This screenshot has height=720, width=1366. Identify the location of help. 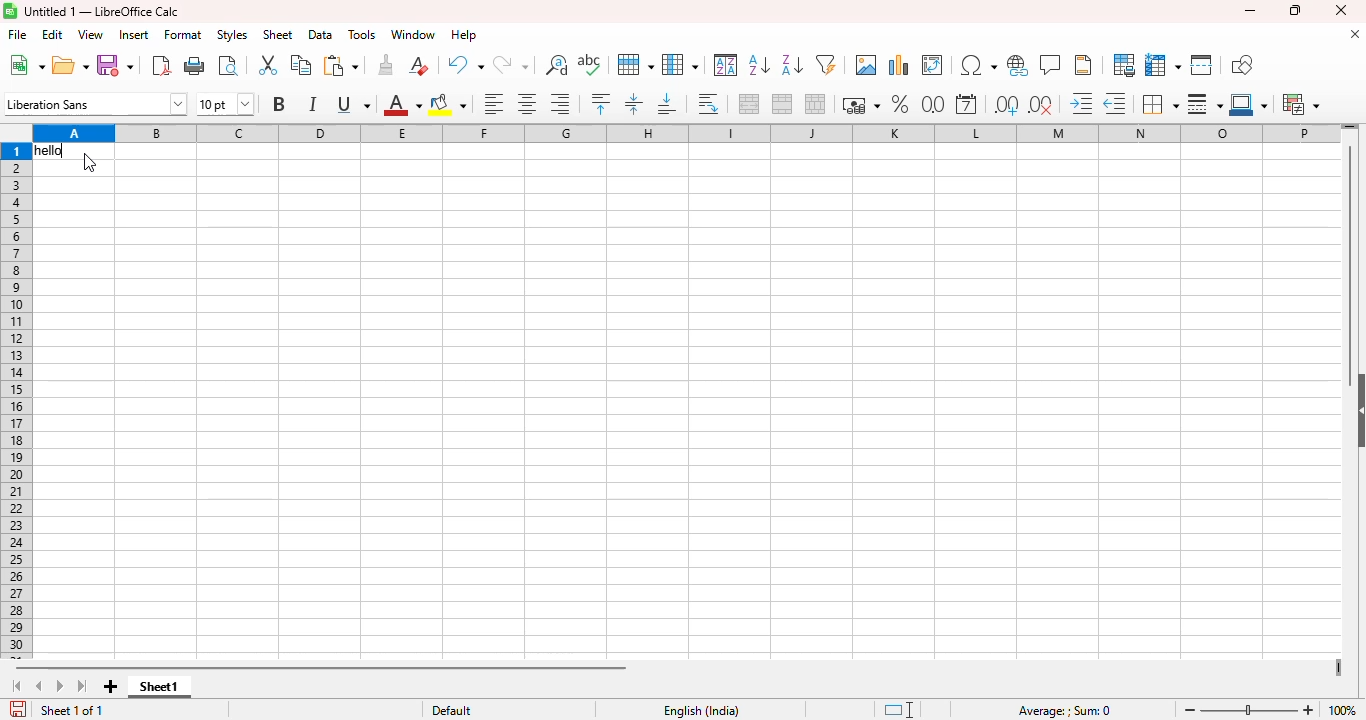
(464, 35).